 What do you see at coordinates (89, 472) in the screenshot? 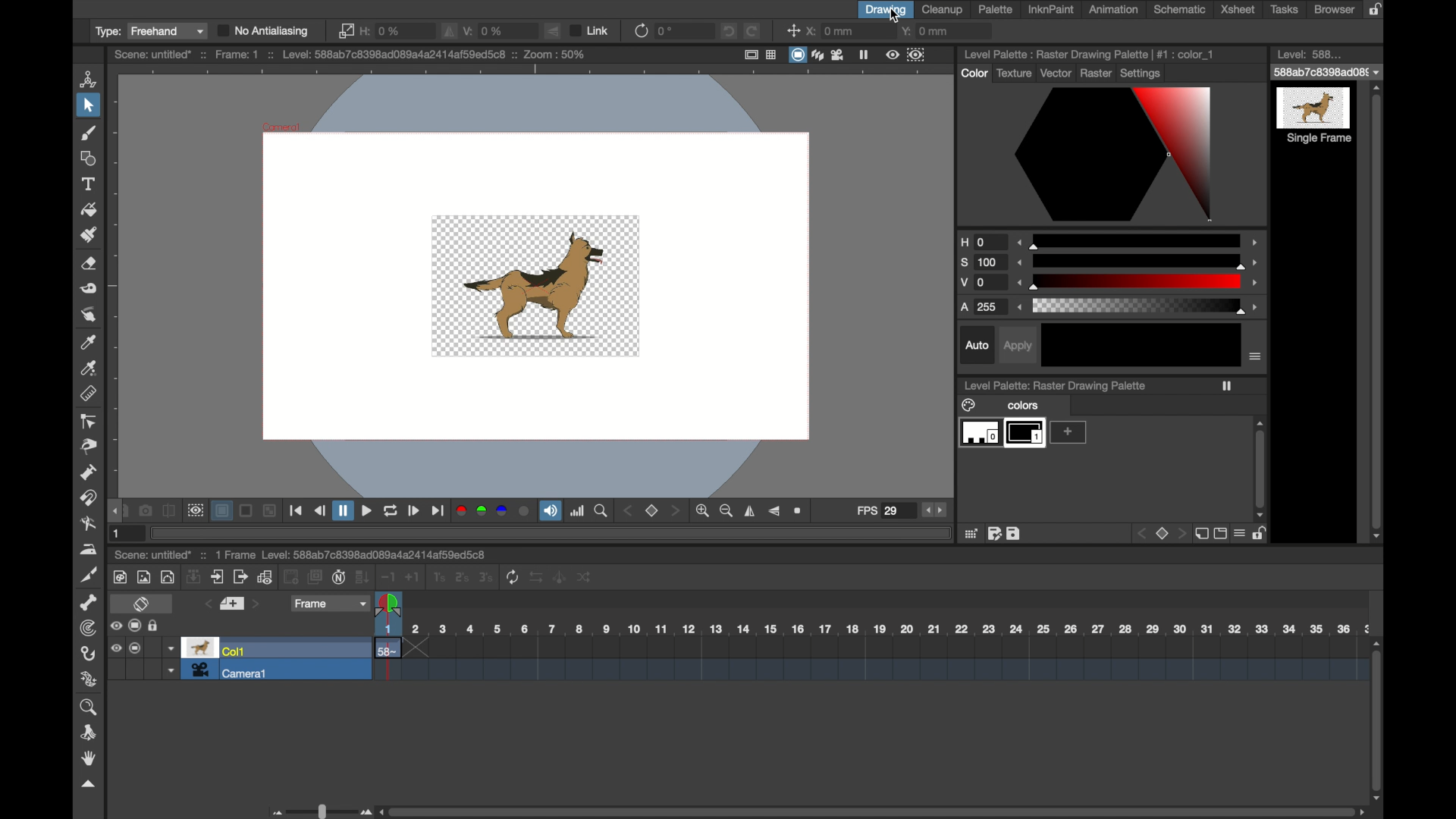
I see `pump tool` at bounding box center [89, 472].